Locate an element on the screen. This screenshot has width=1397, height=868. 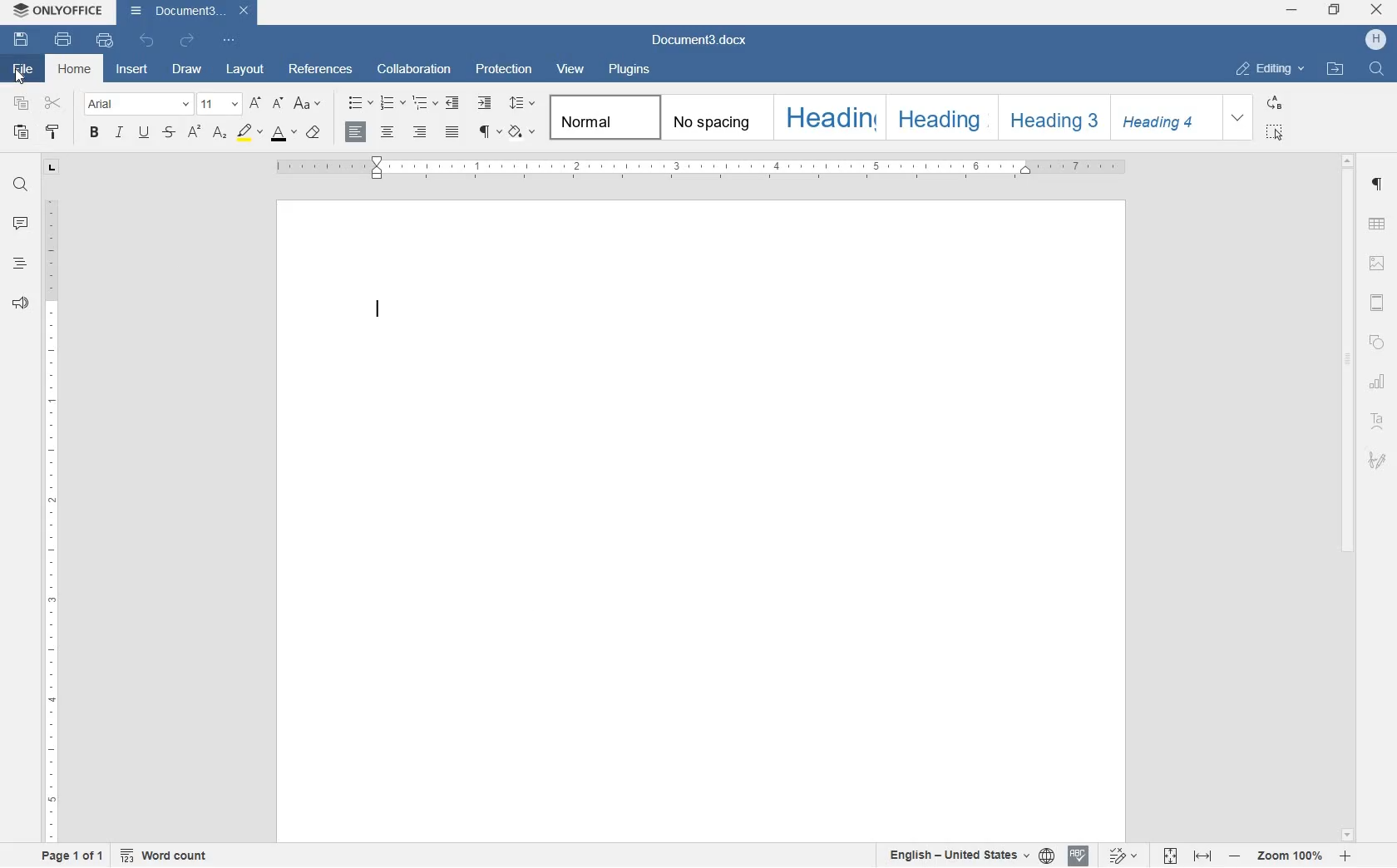
font name is located at coordinates (136, 104).